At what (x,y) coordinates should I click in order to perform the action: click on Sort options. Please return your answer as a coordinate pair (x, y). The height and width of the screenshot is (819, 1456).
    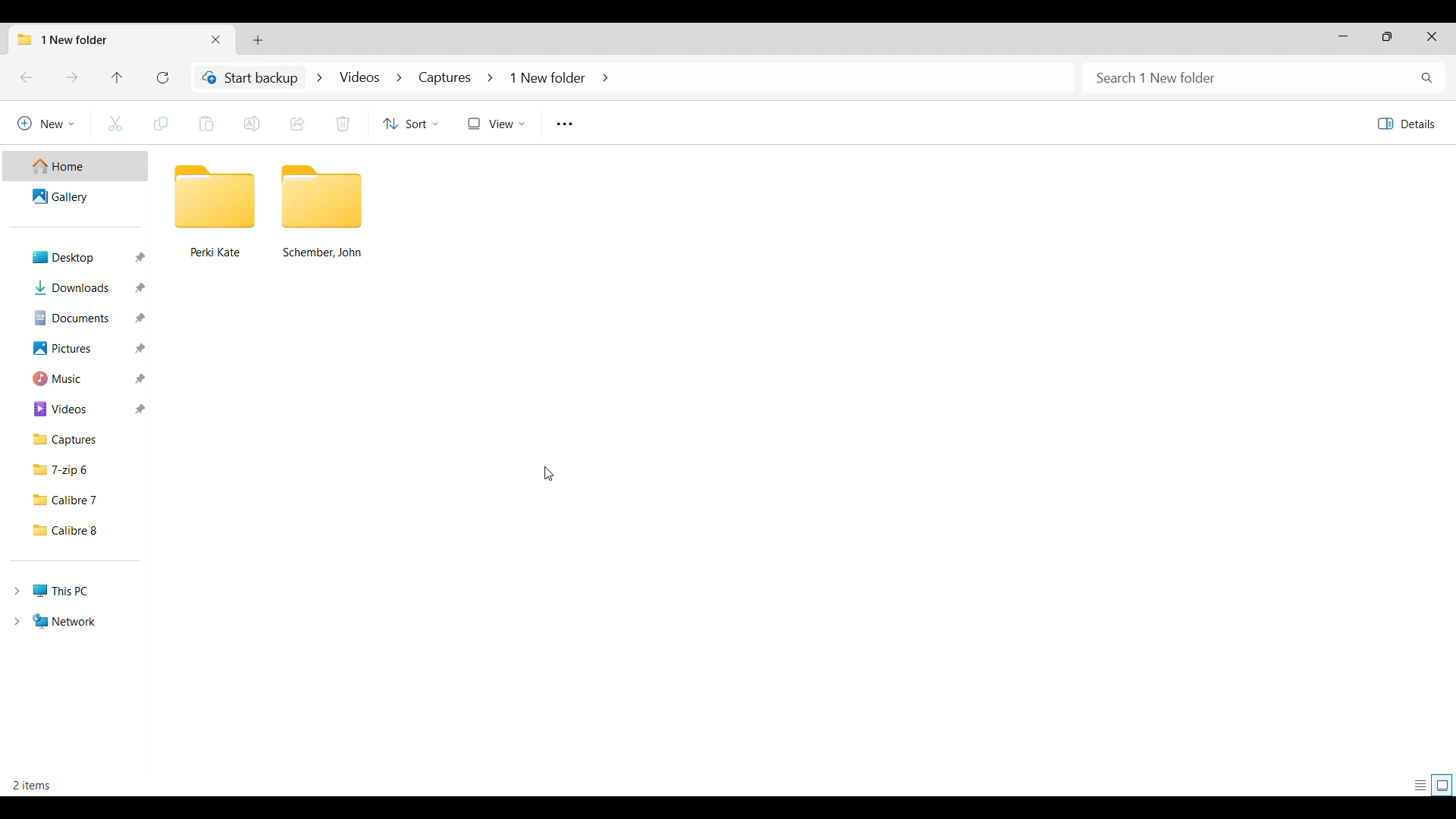
    Looking at the image, I should click on (410, 123).